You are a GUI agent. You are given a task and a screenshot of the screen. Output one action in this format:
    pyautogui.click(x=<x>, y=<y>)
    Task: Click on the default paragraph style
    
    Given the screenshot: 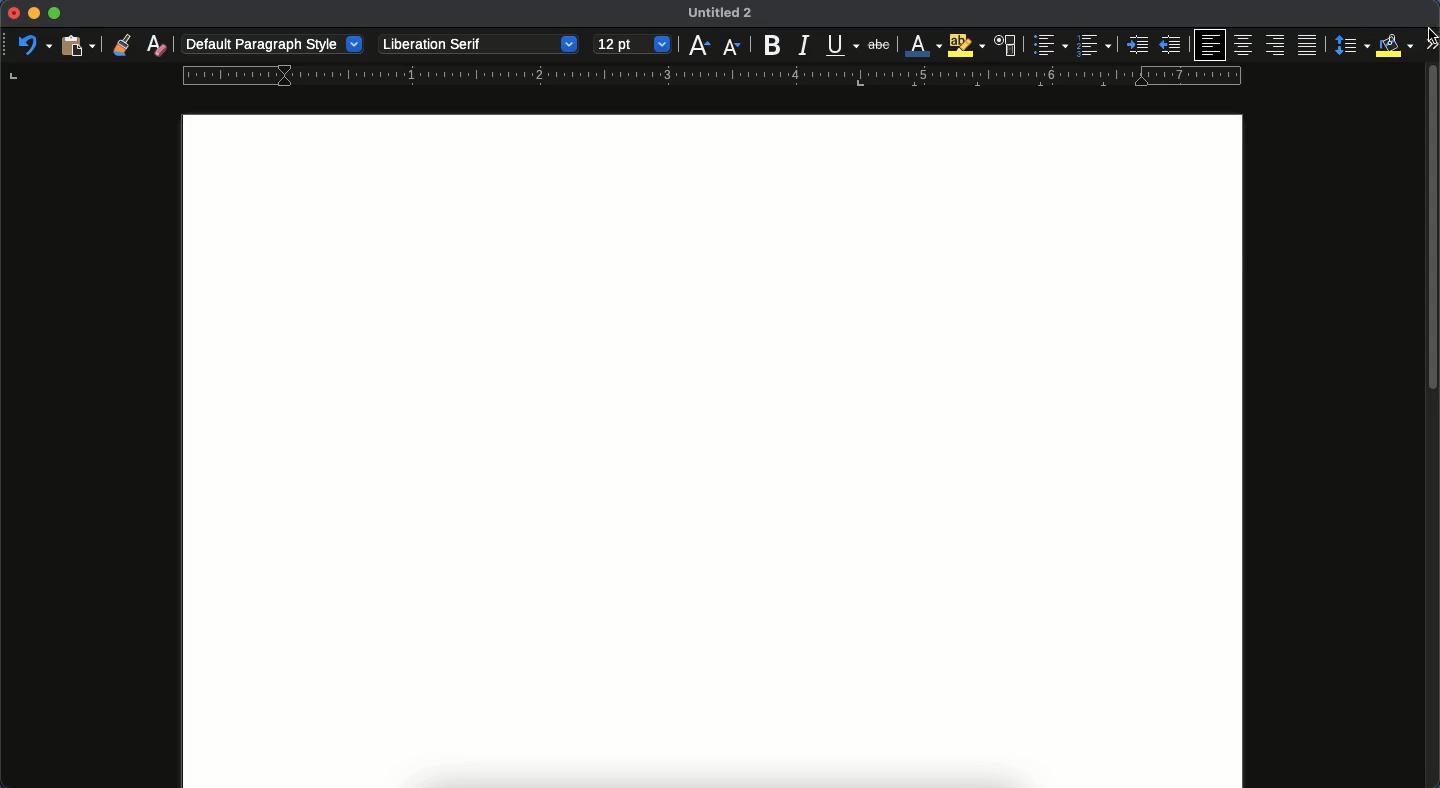 What is the action you would take?
    pyautogui.click(x=273, y=44)
    